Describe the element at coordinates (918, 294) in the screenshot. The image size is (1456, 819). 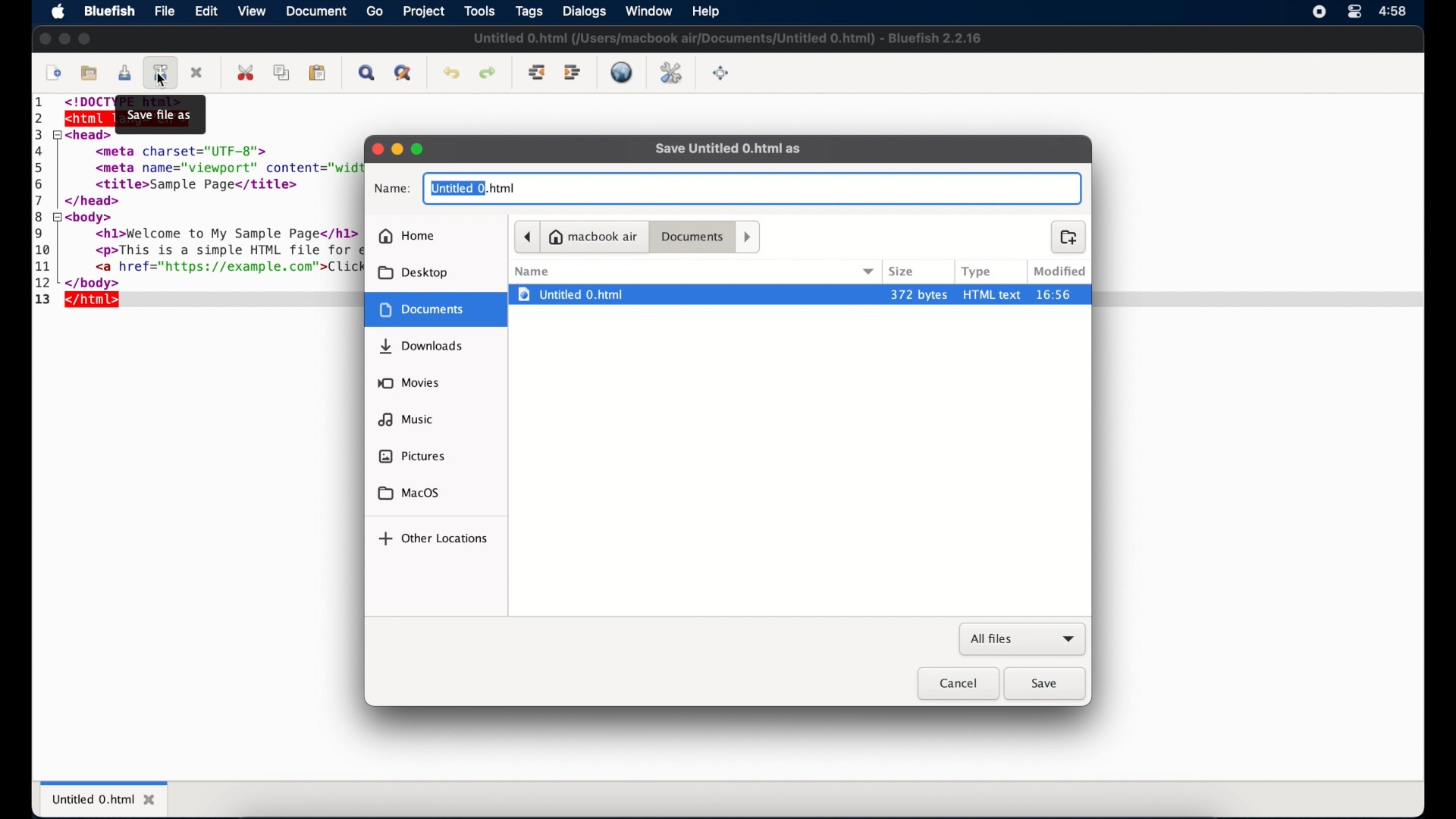
I see `372 bytes` at that location.